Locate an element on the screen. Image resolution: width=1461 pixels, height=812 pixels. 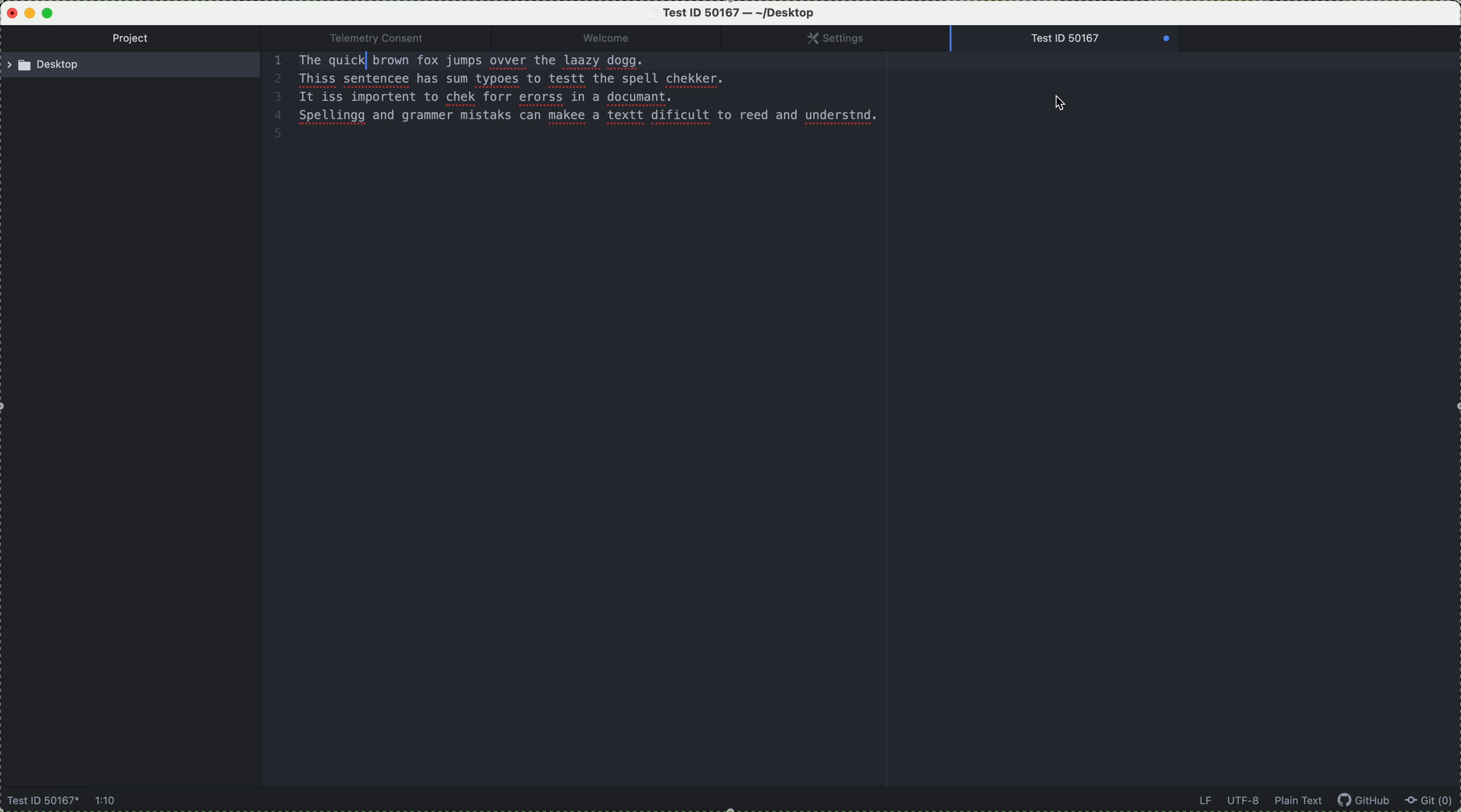
desktop location is located at coordinates (134, 67).